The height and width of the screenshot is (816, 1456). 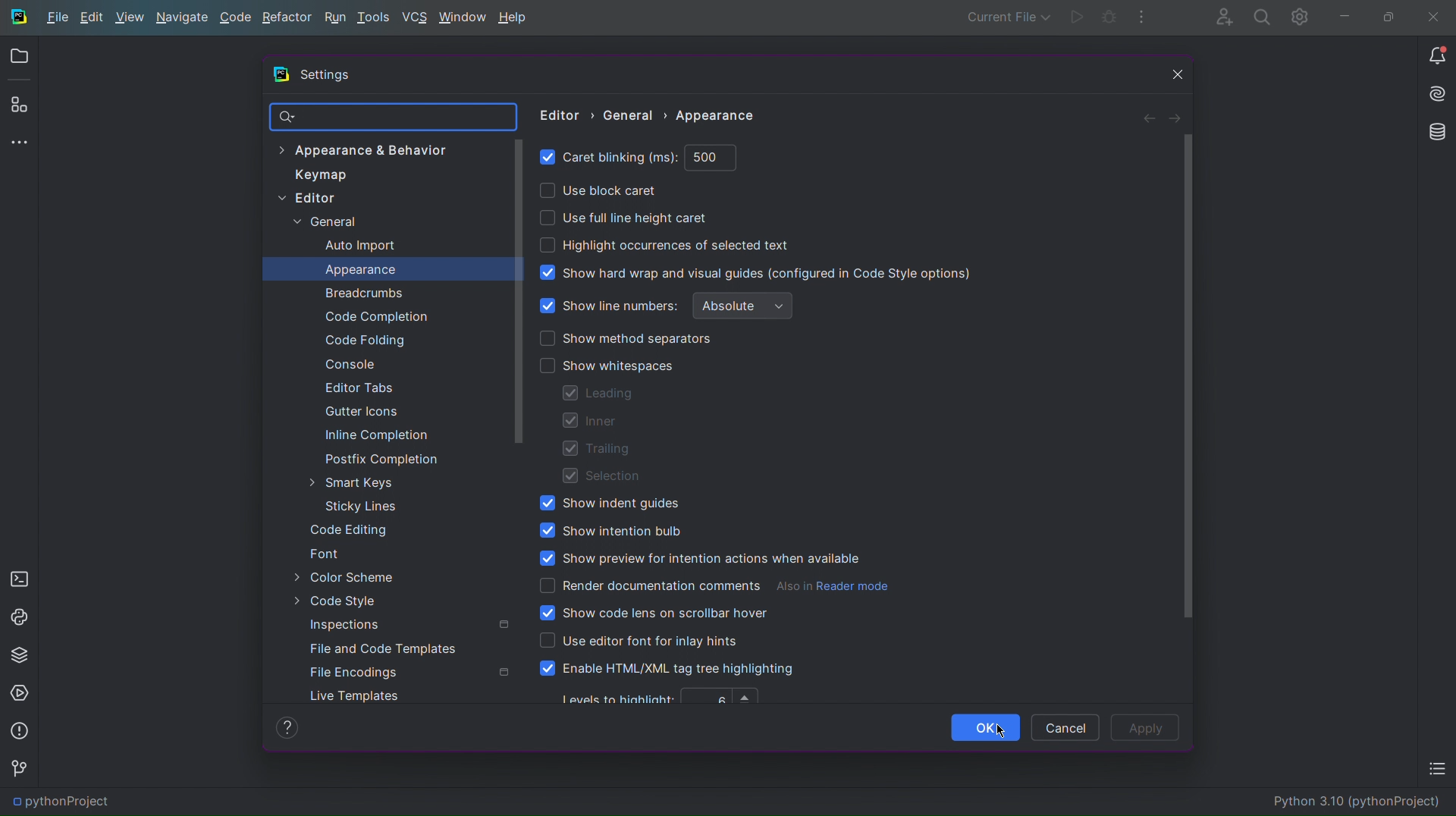 I want to click on Account, so click(x=1217, y=17).